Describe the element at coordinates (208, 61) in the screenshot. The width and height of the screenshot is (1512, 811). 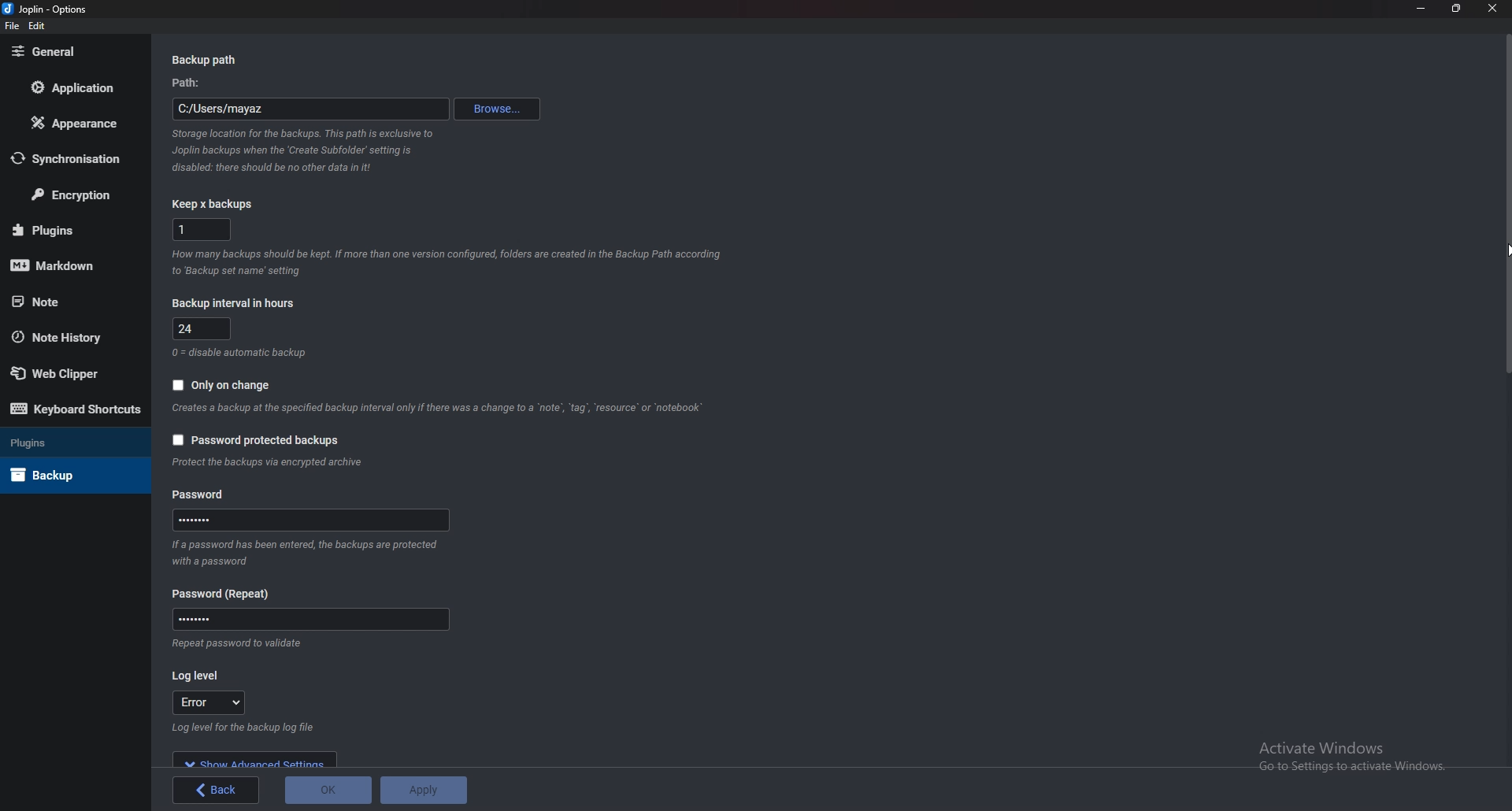
I see `Back up path` at that location.